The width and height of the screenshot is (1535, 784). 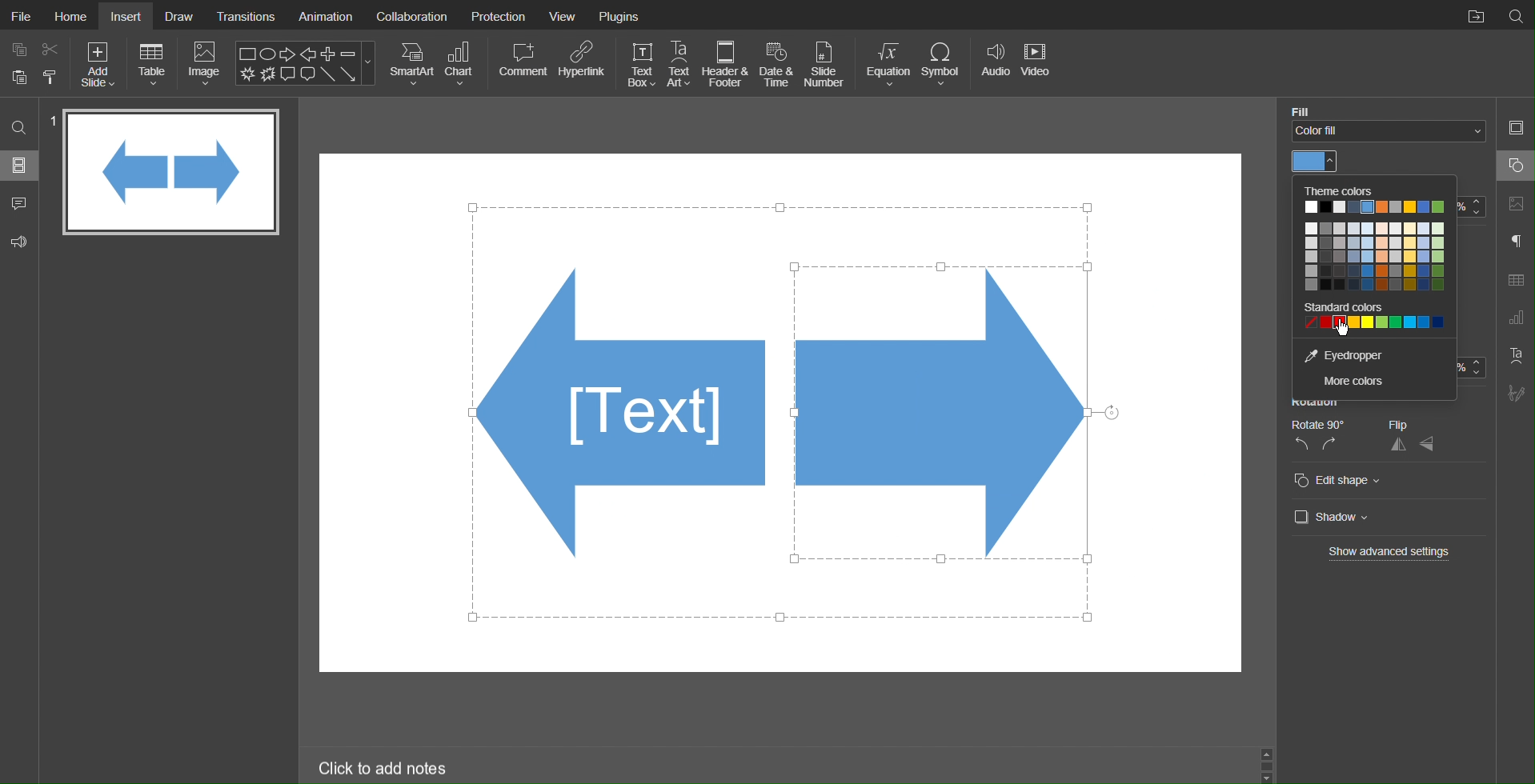 I want to click on rotate right 90, so click(x=1332, y=446).